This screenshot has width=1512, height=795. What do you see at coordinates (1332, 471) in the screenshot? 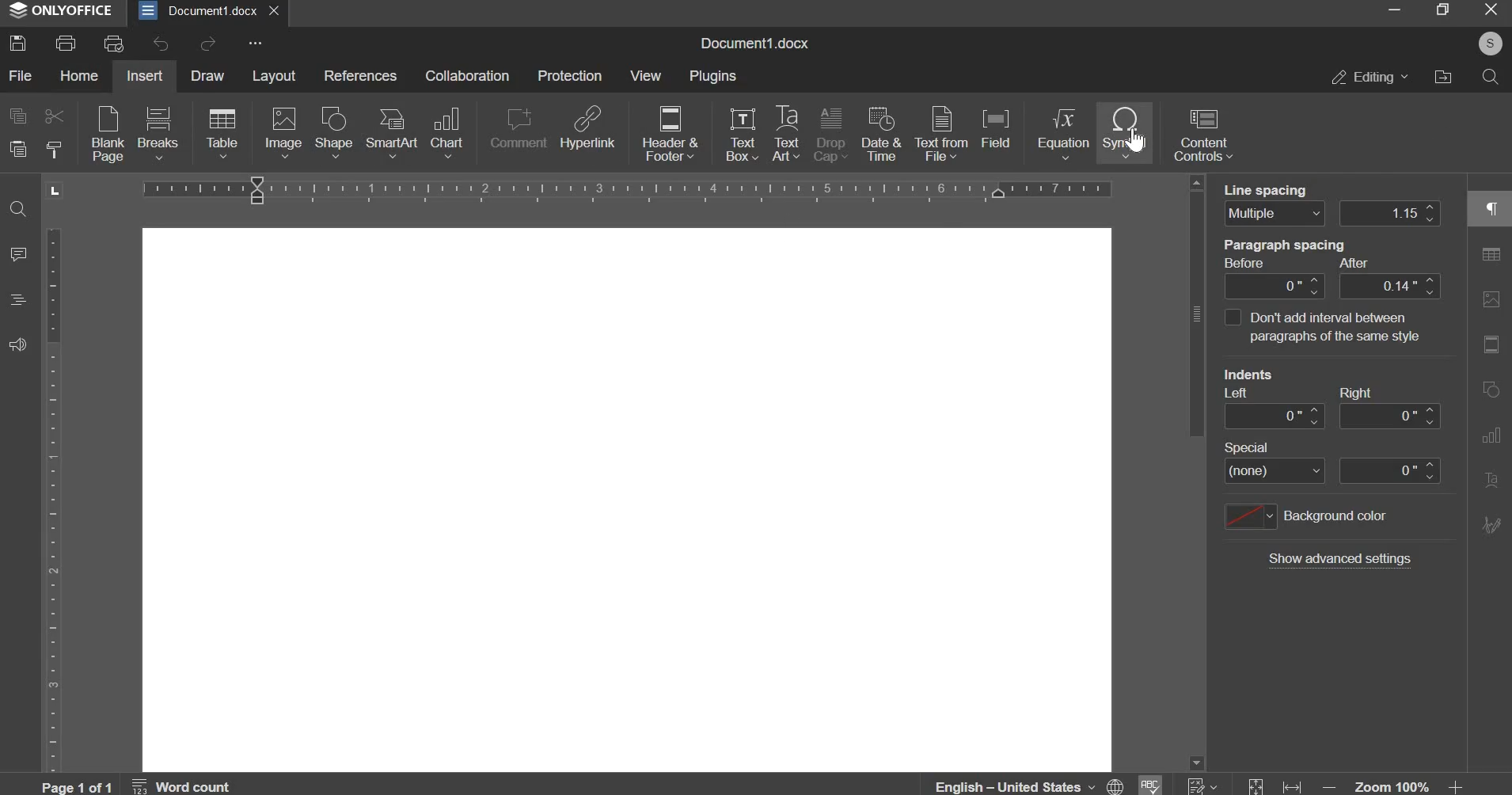
I see `special` at bounding box center [1332, 471].